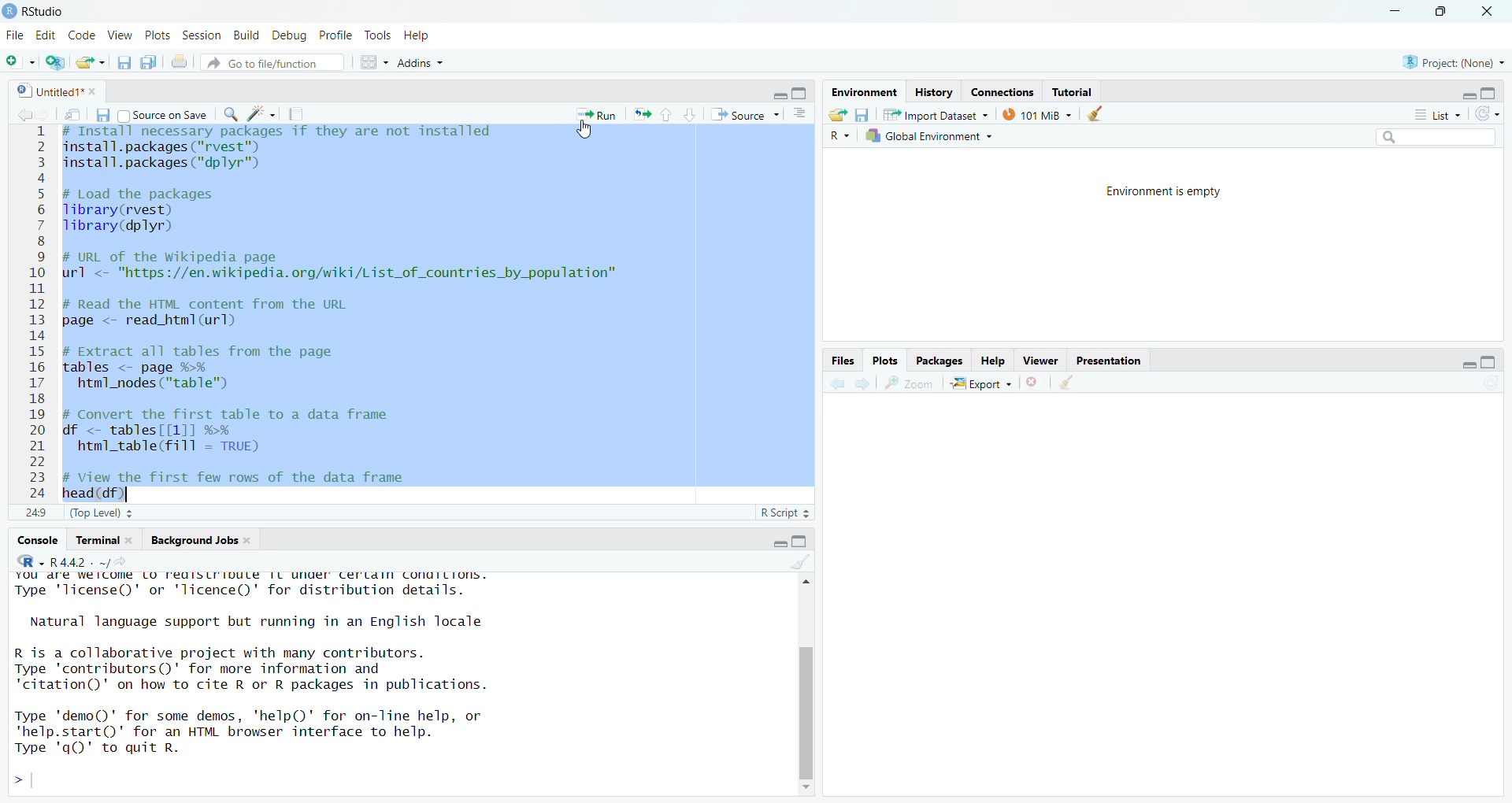  Describe the element at coordinates (120, 35) in the screenshot. I see `View` at that location.